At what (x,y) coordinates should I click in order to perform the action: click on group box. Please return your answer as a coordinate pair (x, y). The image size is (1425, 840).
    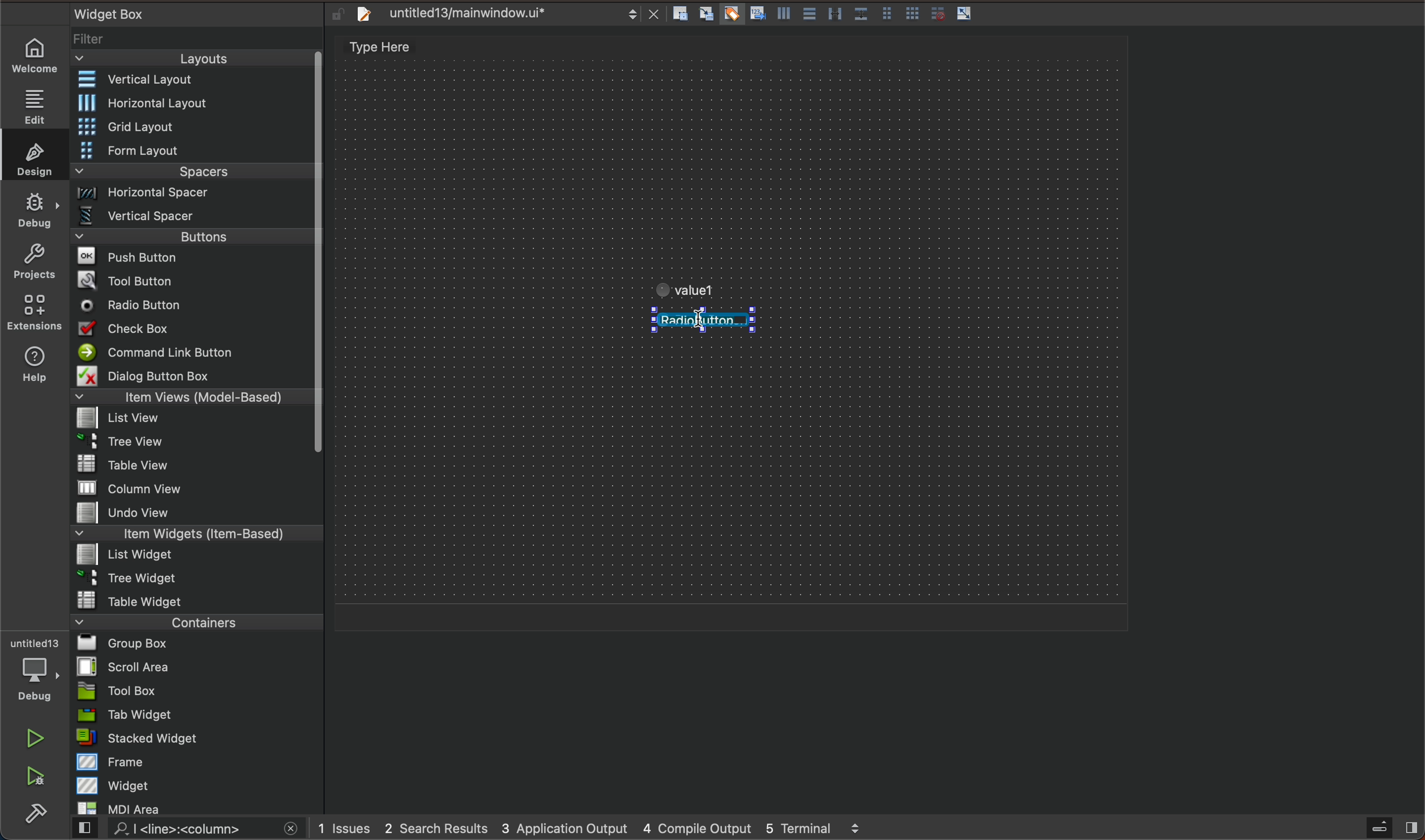
    Looking at the image, I should click on (198, 642).